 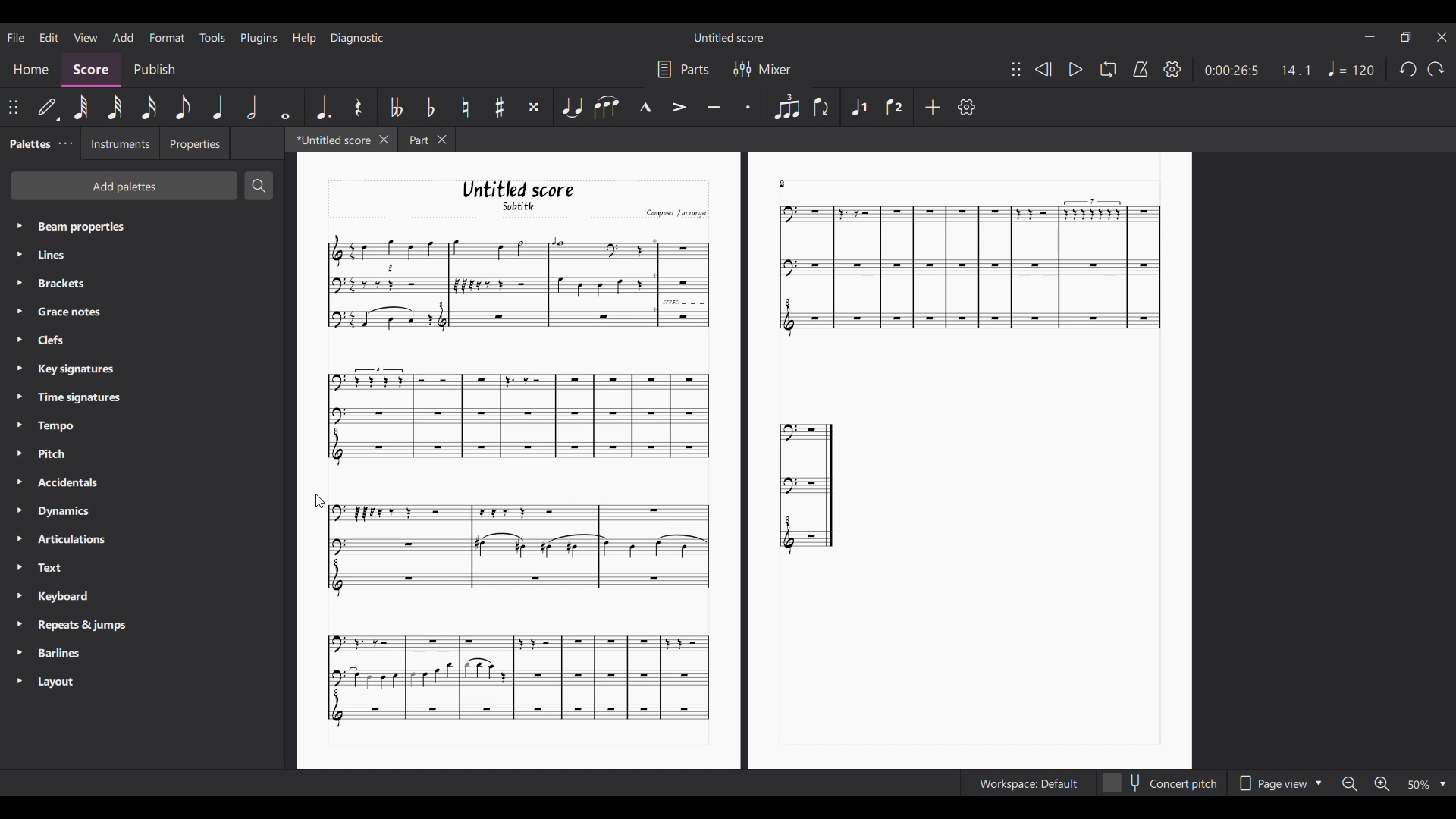 What do you see at coordinates (934, 107) in the screenshot?
I see `Add` at bounding box center [934, 107].